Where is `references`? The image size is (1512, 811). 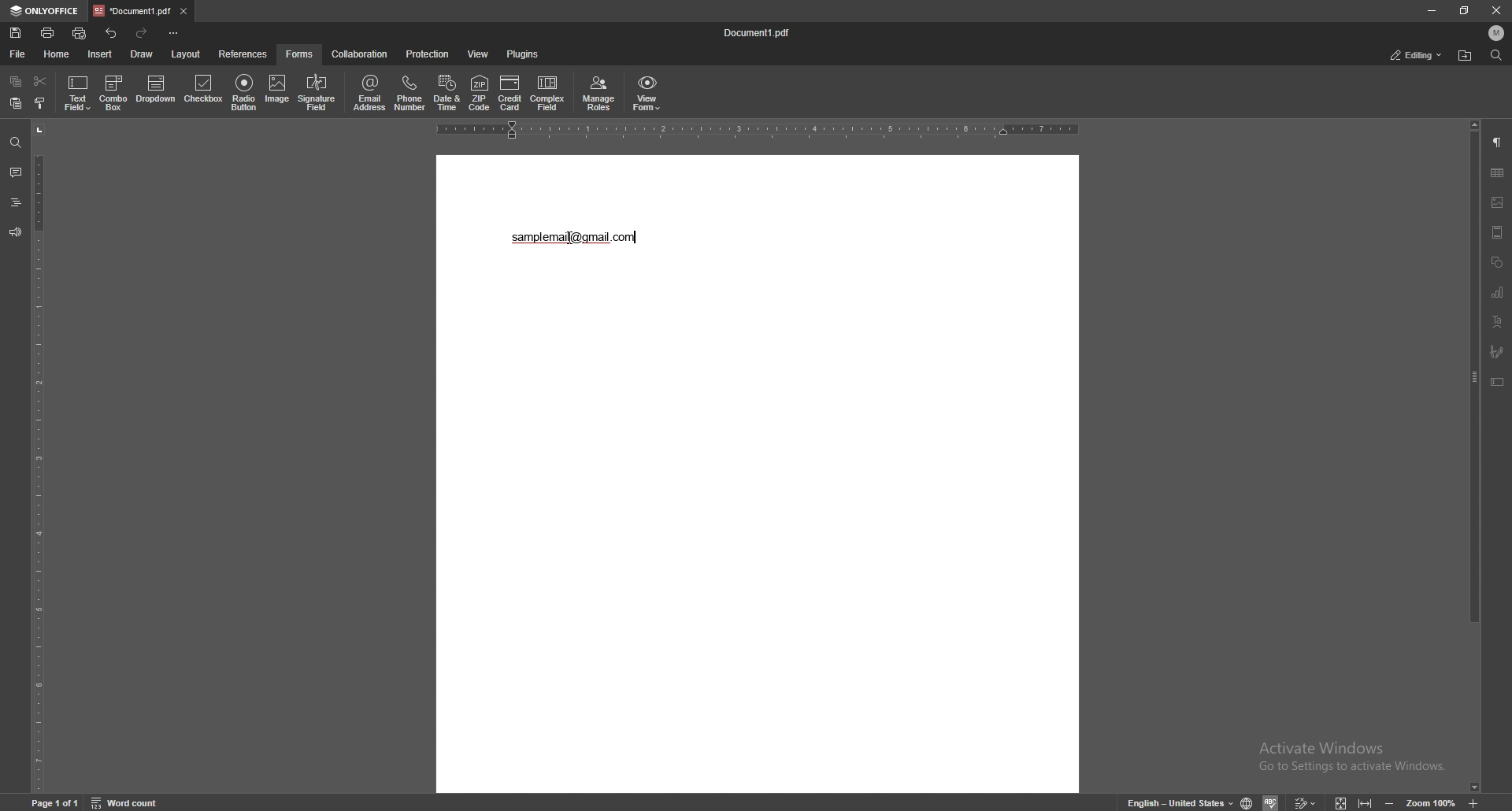 references is located at coordinates (243, 54).